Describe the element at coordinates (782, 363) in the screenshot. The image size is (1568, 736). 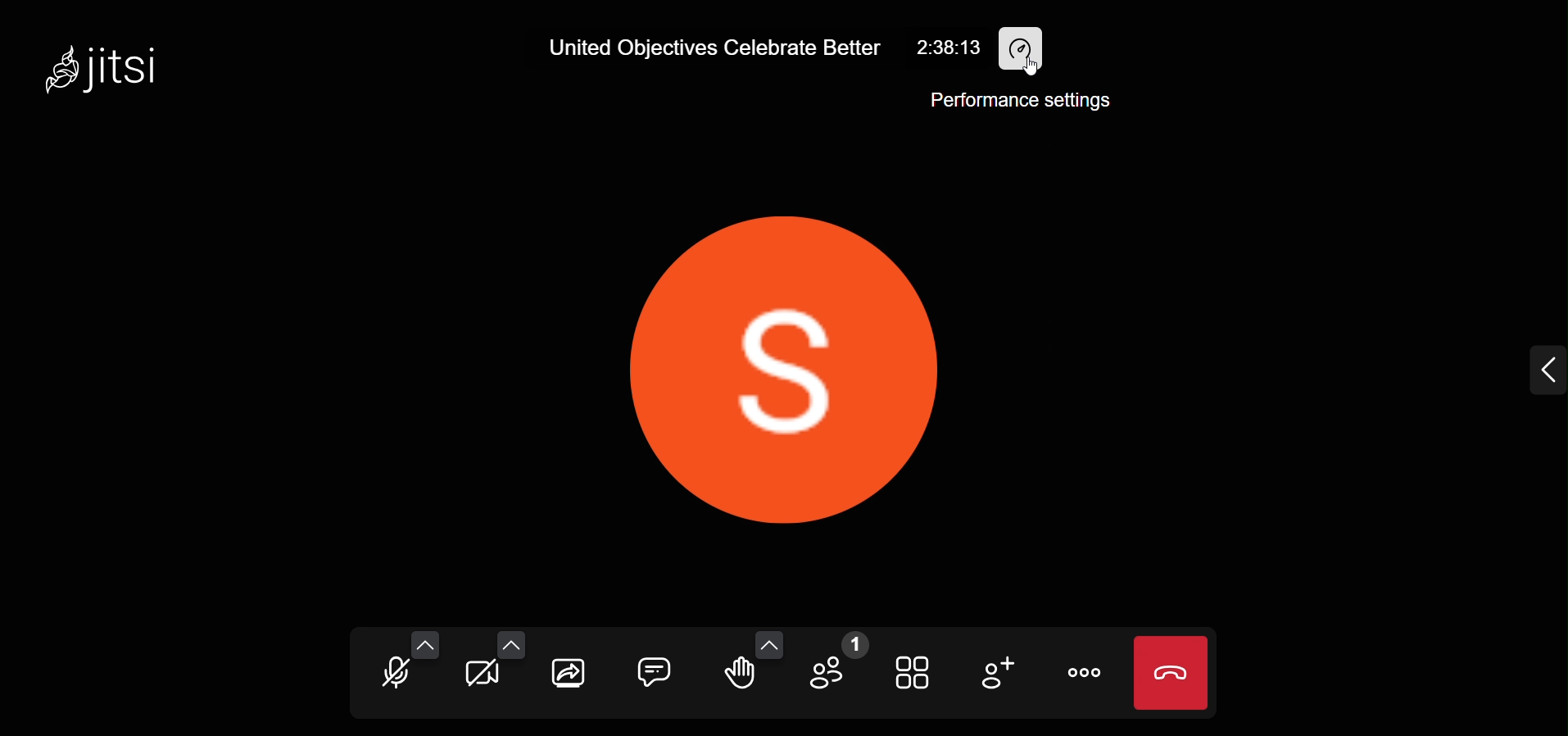
I see `display setting` at that location.